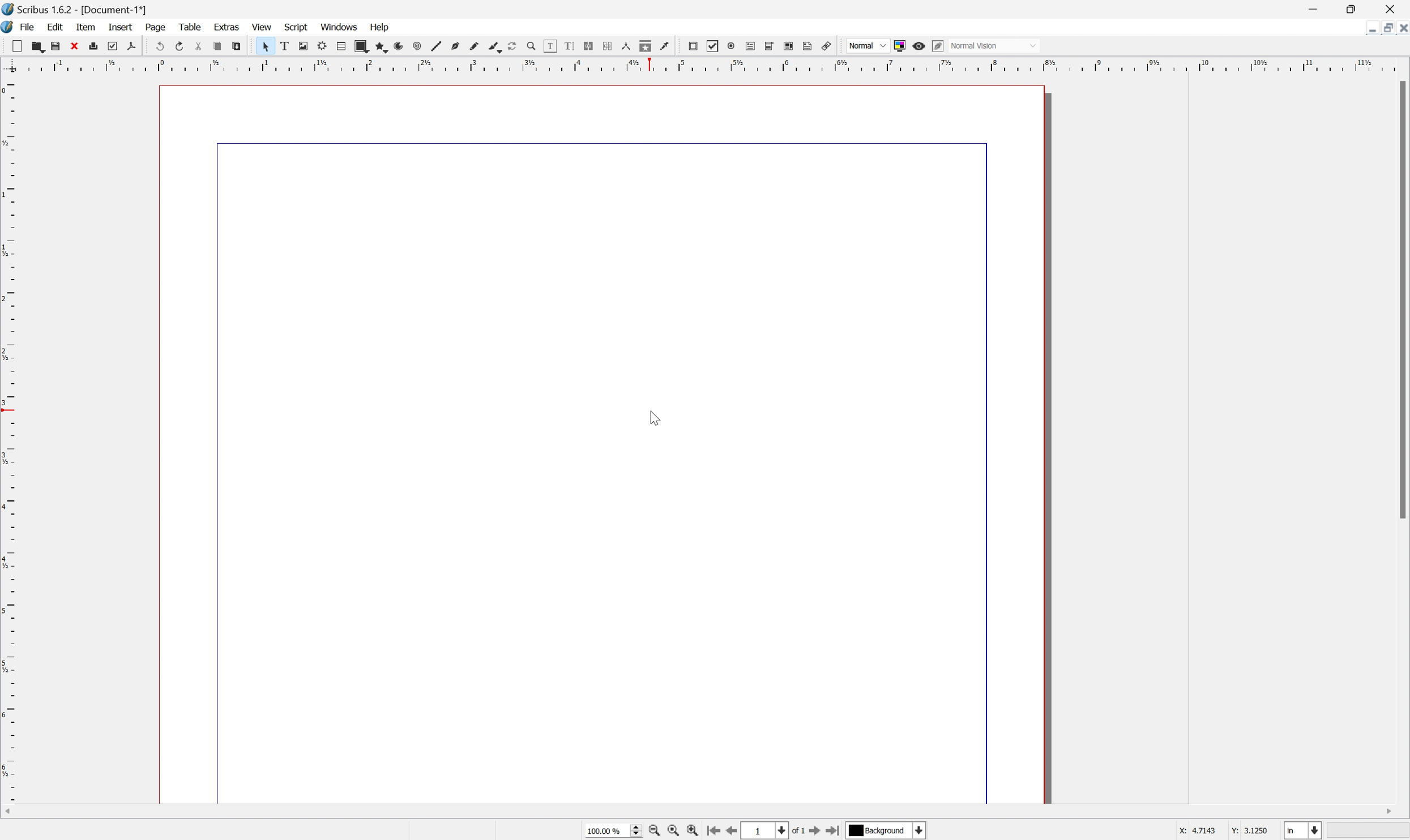 Image resolution: width=1410 pixels, height=840 pixels. What do you see at coordinates (287, 44) in the screenshot?
I see `text frame` at bounding box center [287, 44].